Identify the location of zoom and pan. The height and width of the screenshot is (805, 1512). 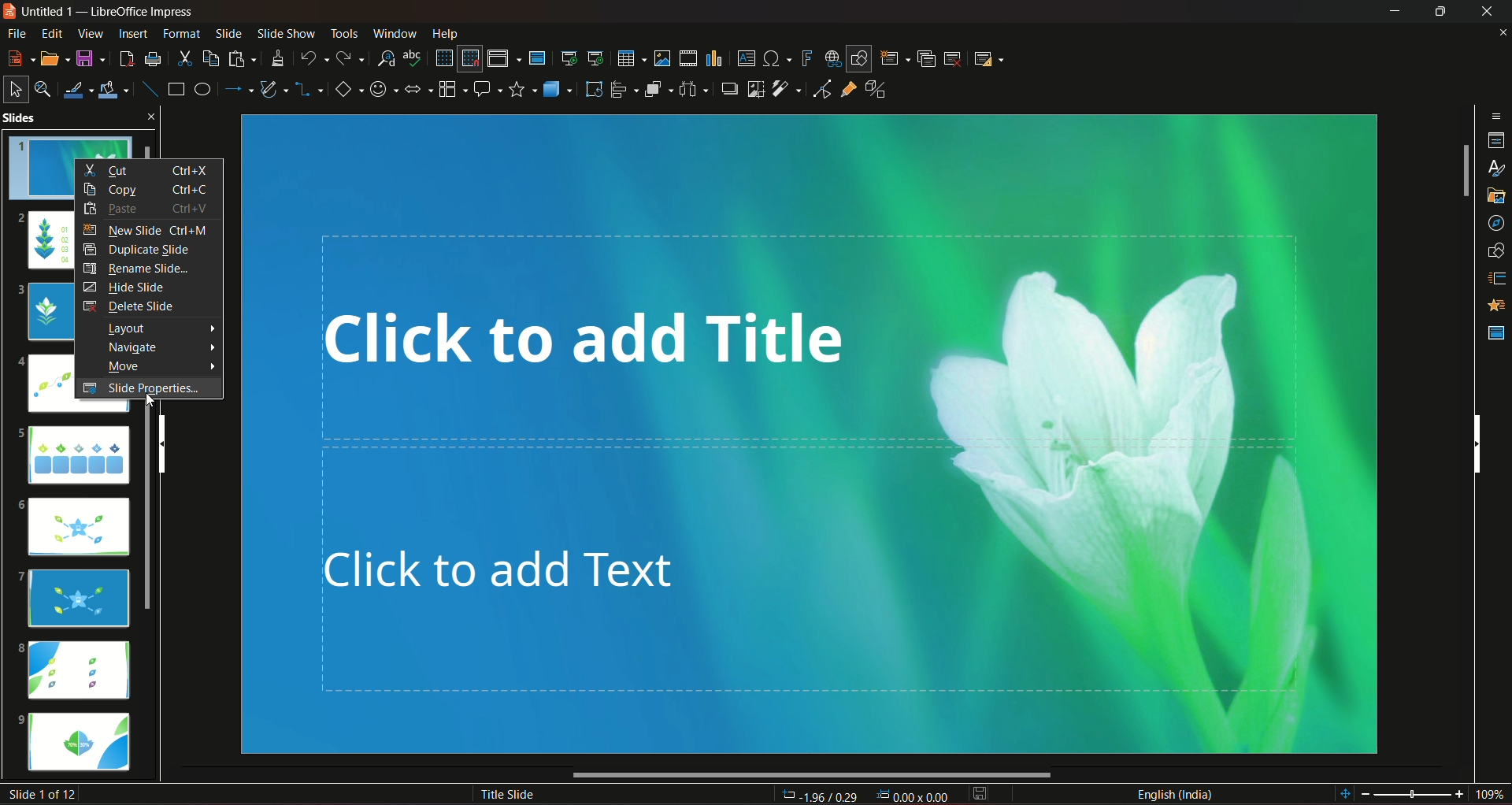
(45, 88).